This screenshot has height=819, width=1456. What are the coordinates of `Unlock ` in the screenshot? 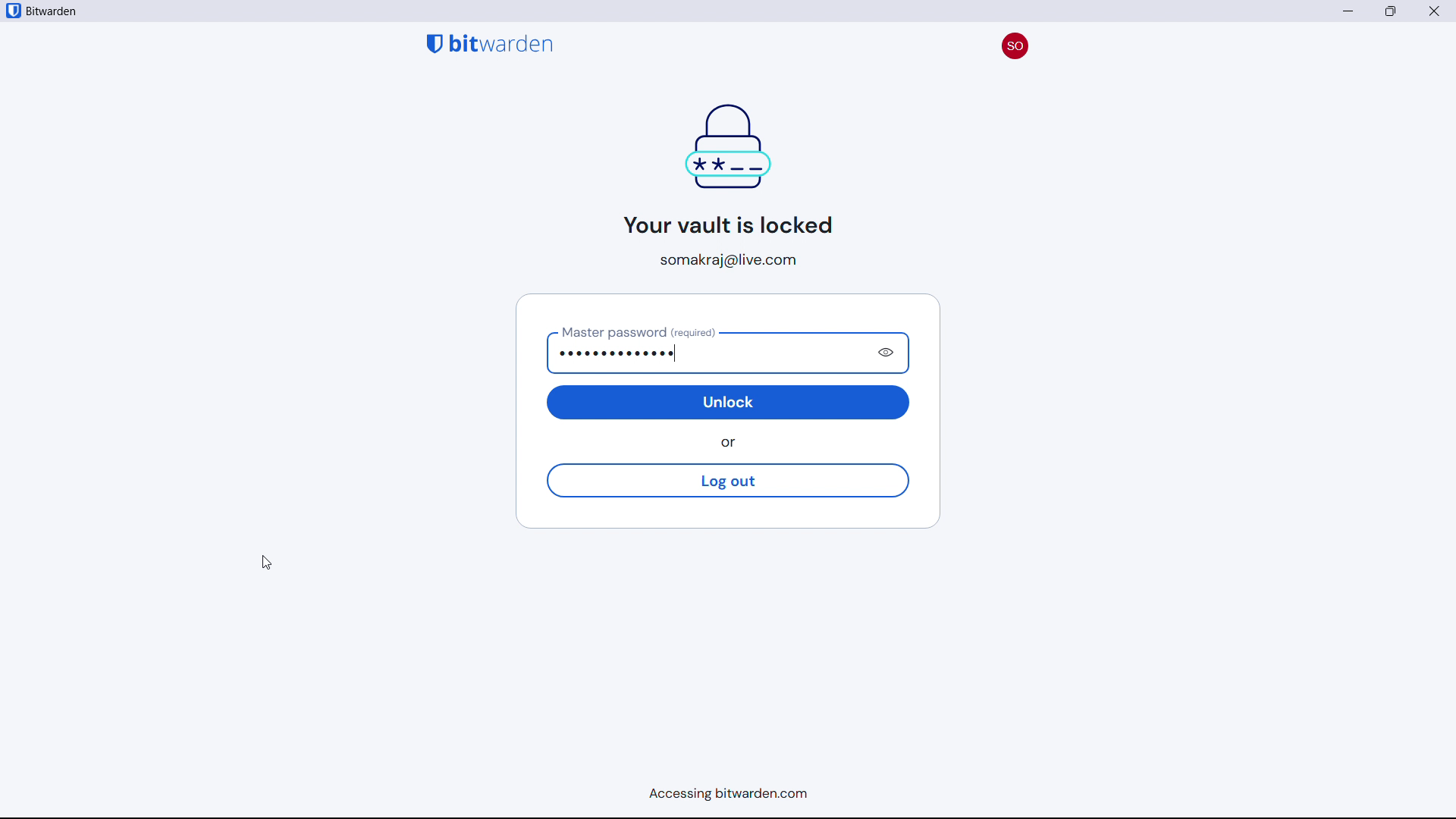 It's located at (730, 402).